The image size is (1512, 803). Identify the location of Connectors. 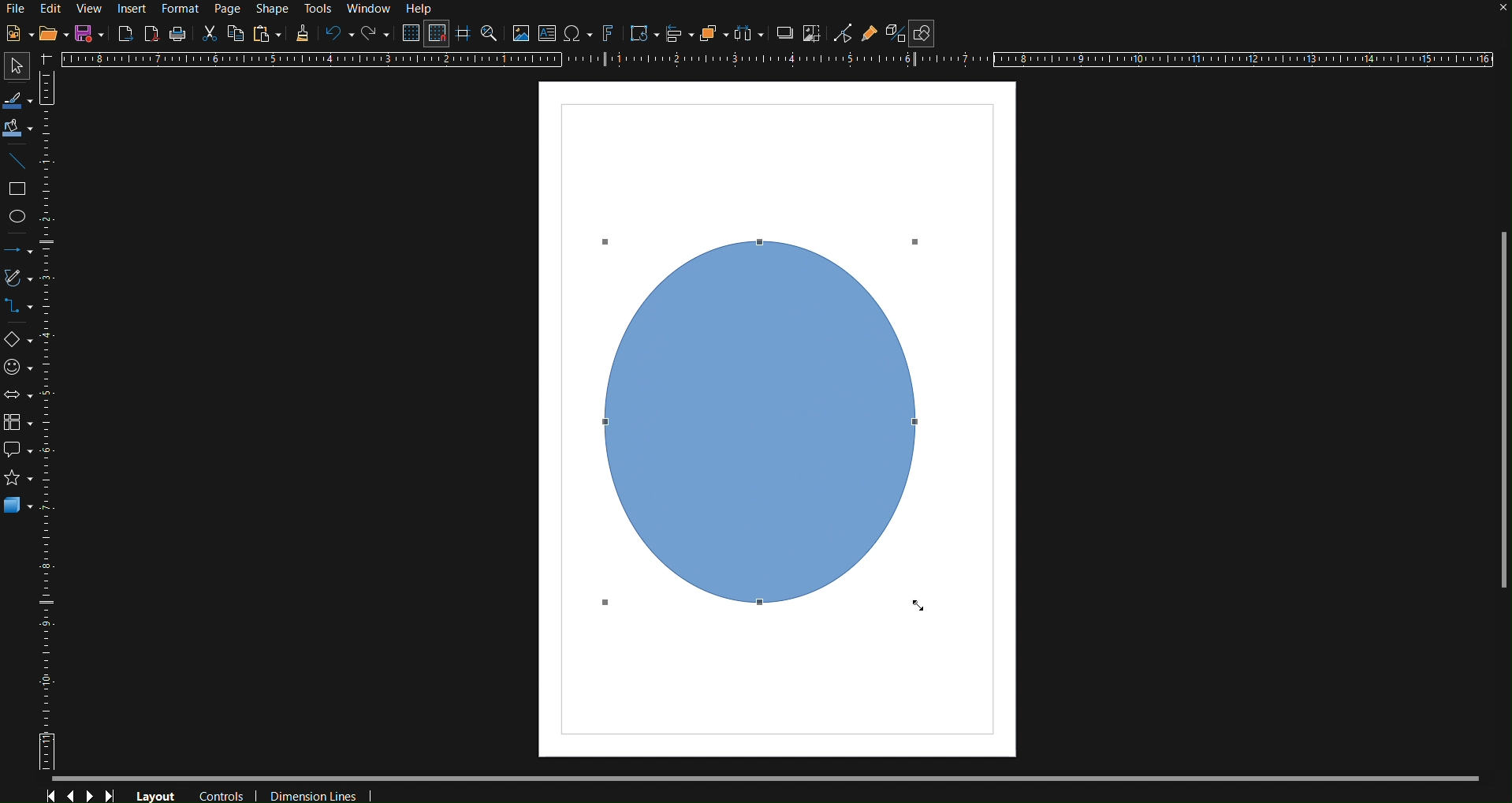
(23, 311).